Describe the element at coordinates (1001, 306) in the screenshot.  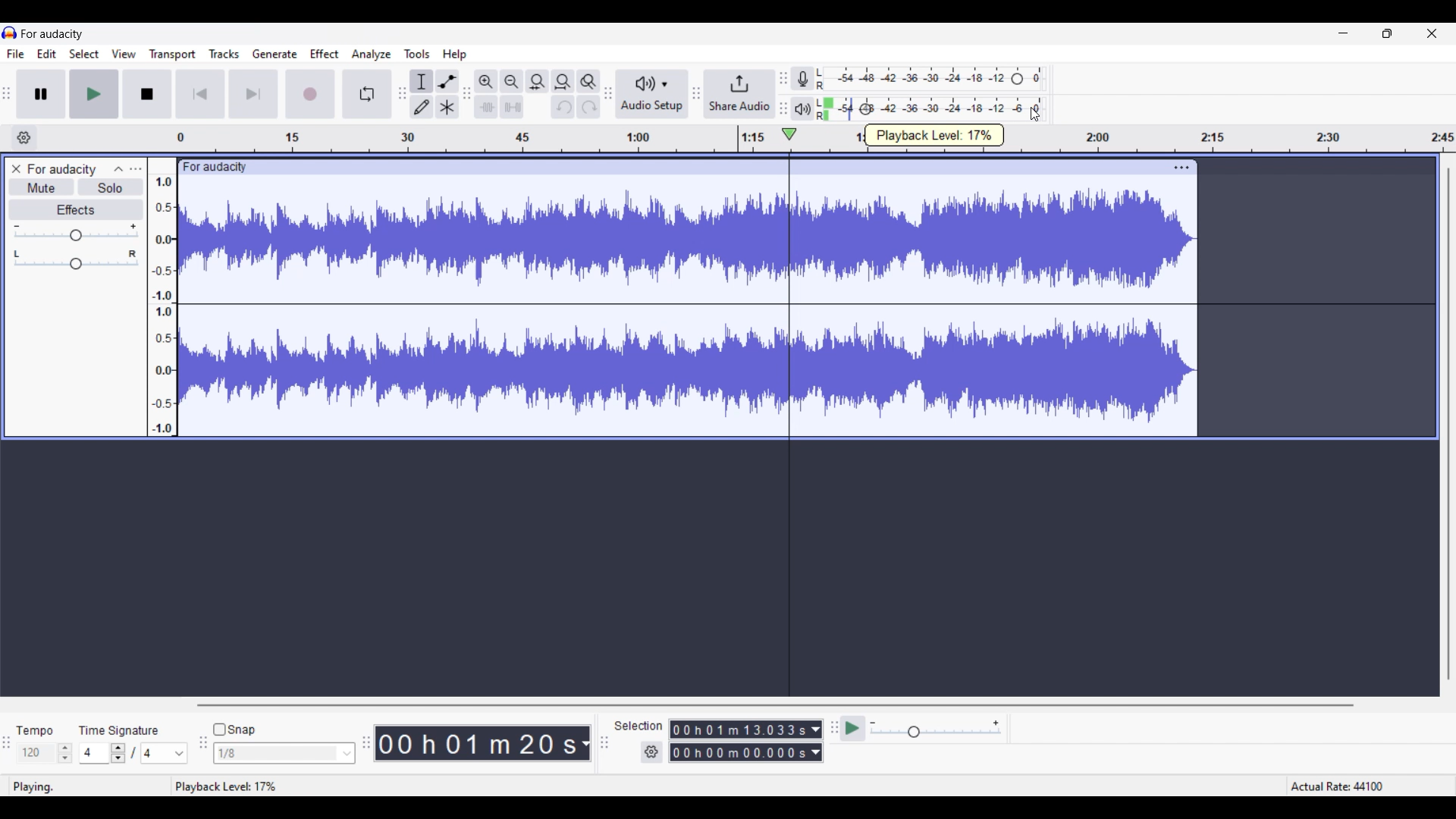
I see `waveform` at that location.